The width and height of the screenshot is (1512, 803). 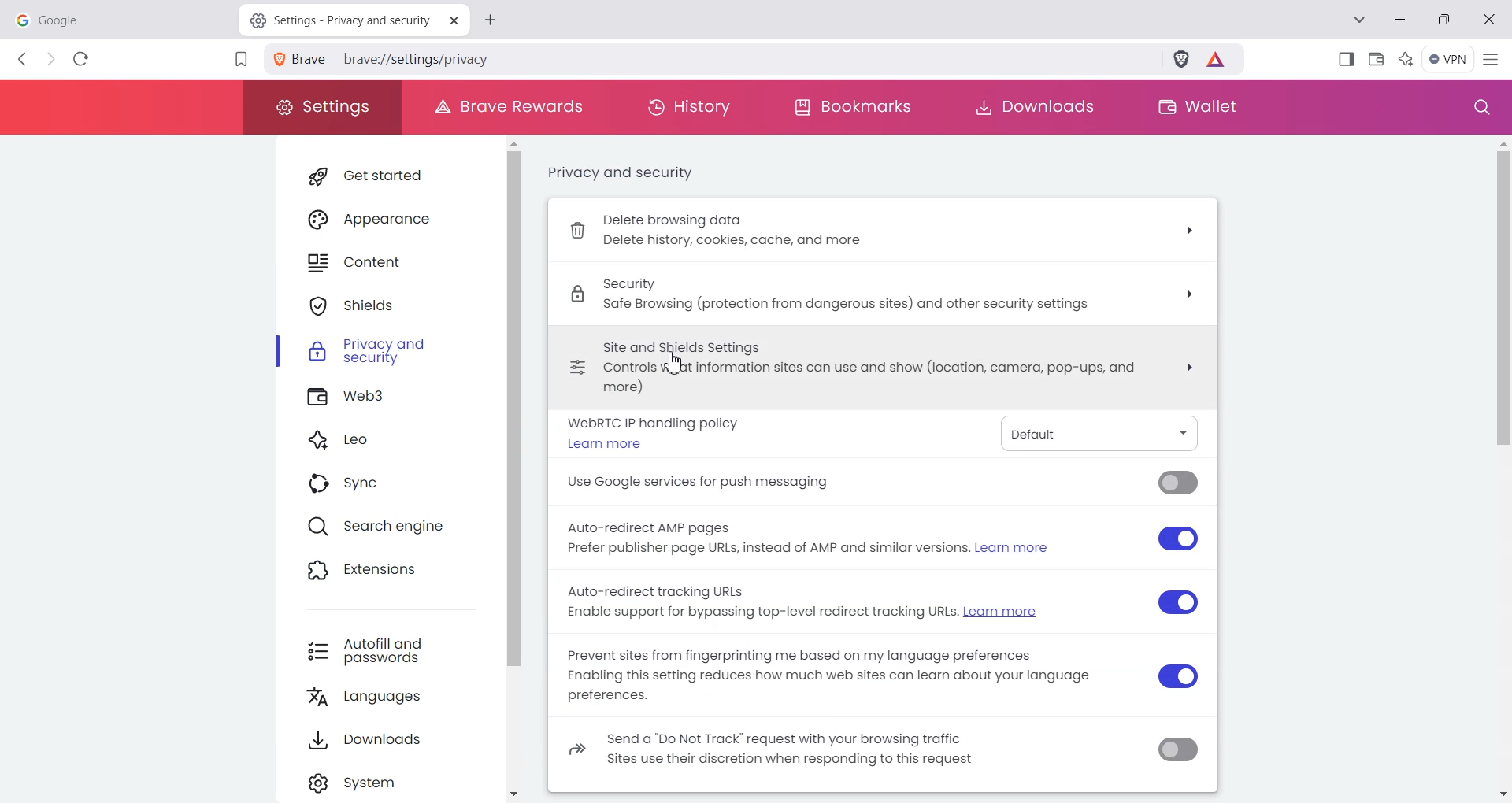 I want to click on View site information, so click(x=302, y=59).